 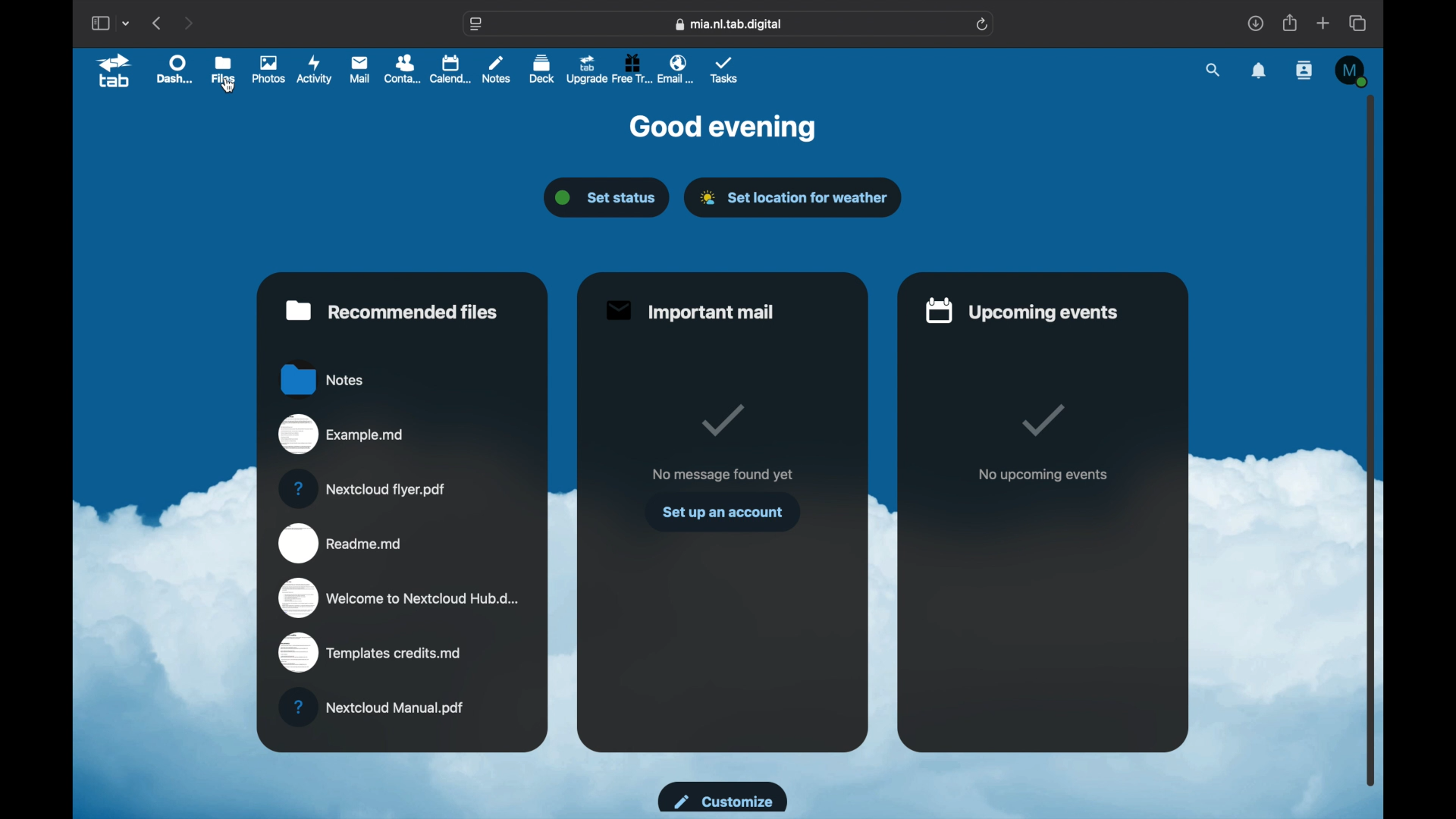 I want to click on files, so click(x=224, y=71).